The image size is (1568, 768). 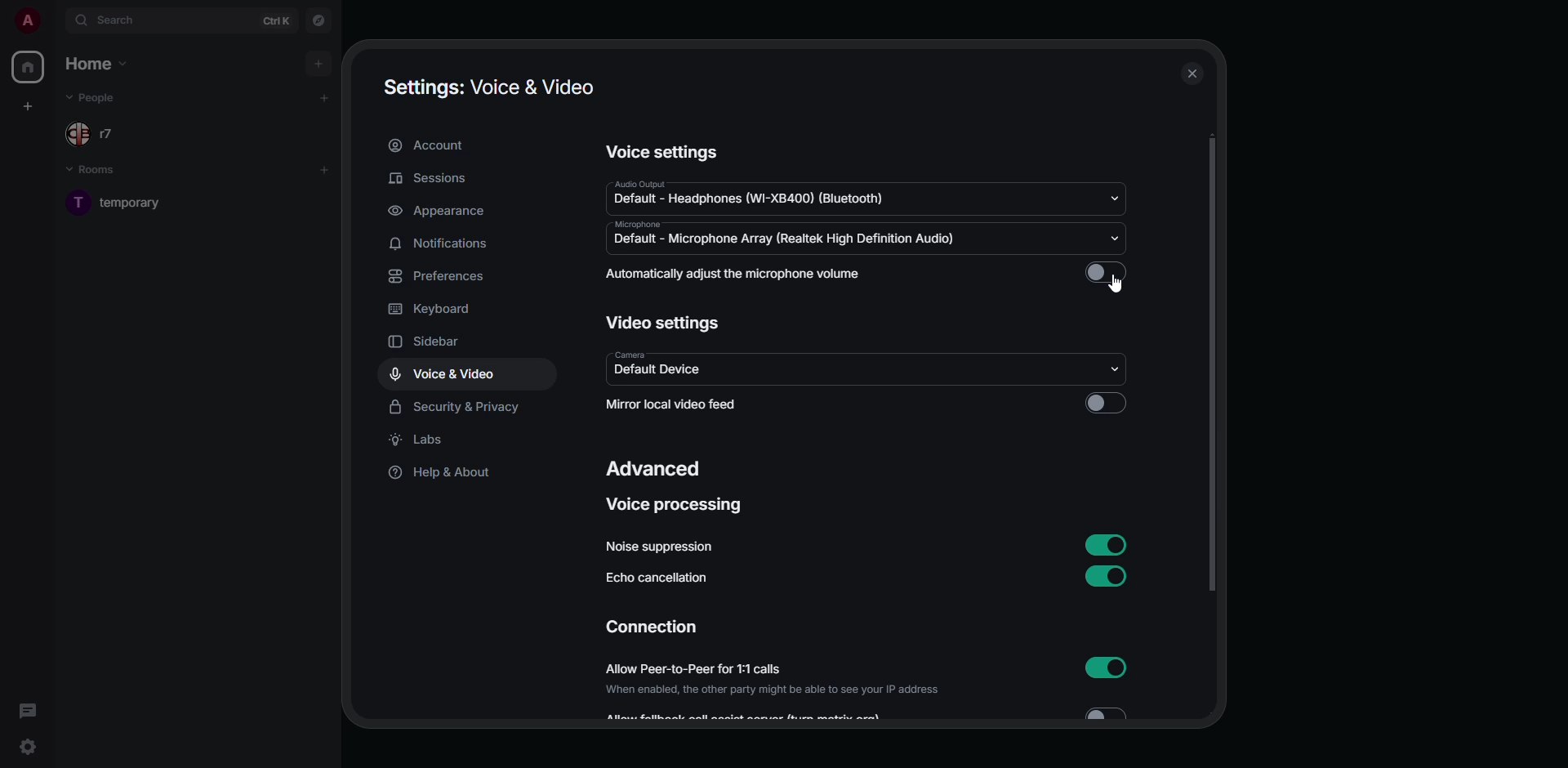 I want to click on noise suppression, so click(x=662, y=546).